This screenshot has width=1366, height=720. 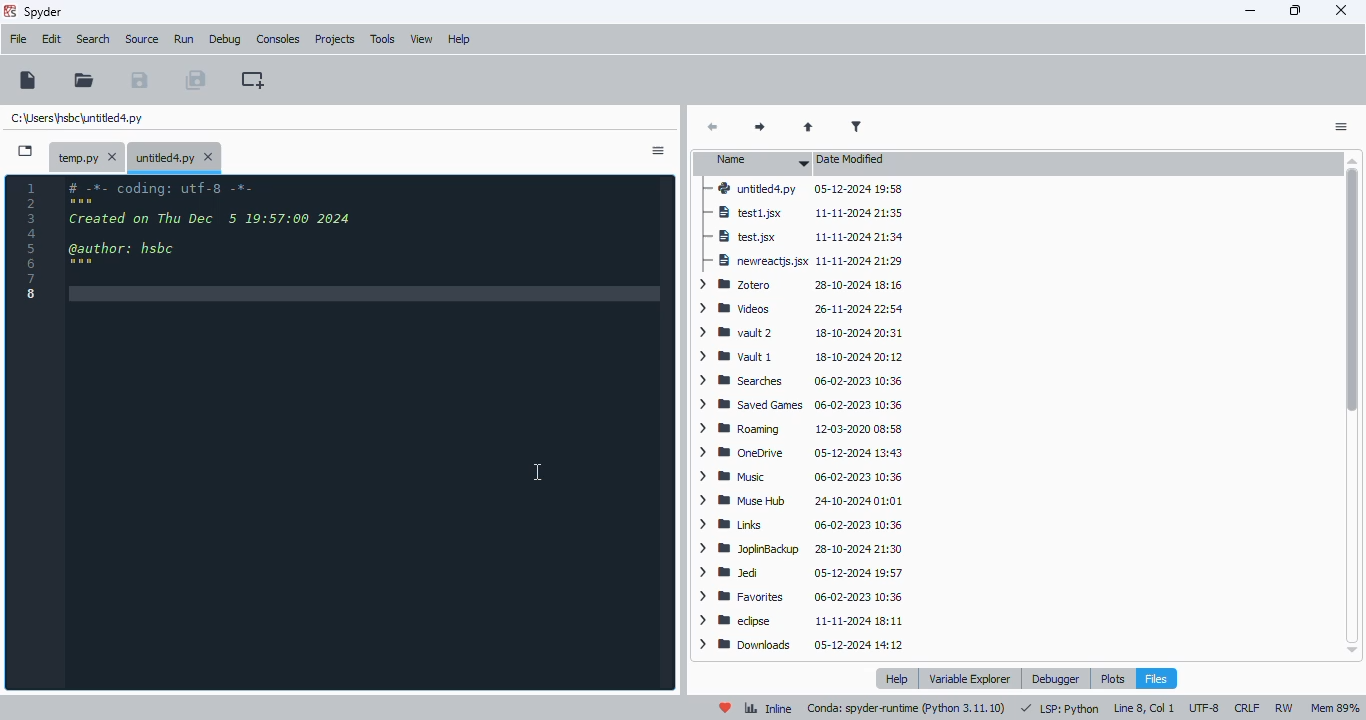 I want to click on tools, so click(x=383, y=40).